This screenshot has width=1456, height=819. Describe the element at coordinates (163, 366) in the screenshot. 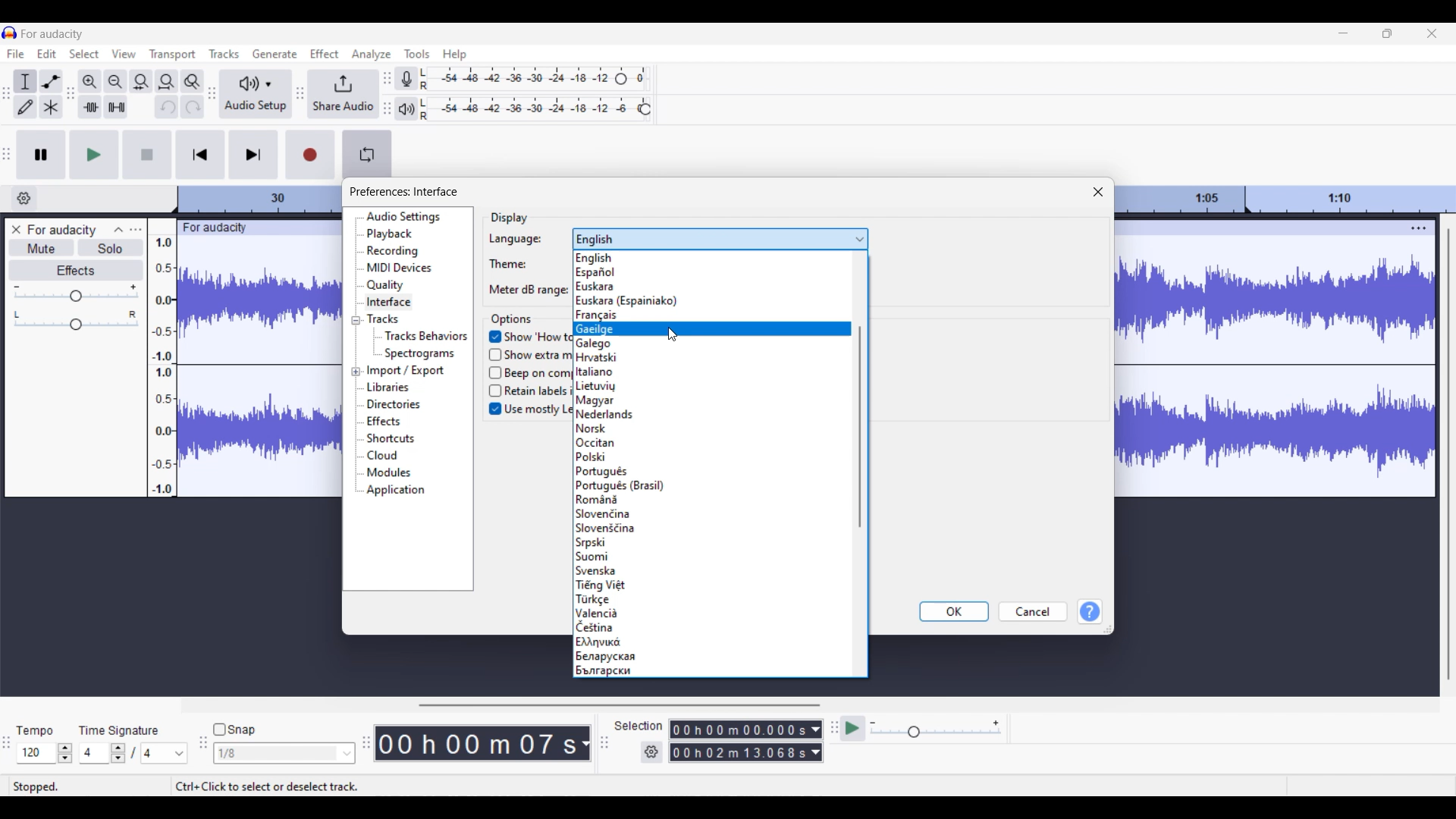

I see `Scale to measure intensity of sound` at that location.